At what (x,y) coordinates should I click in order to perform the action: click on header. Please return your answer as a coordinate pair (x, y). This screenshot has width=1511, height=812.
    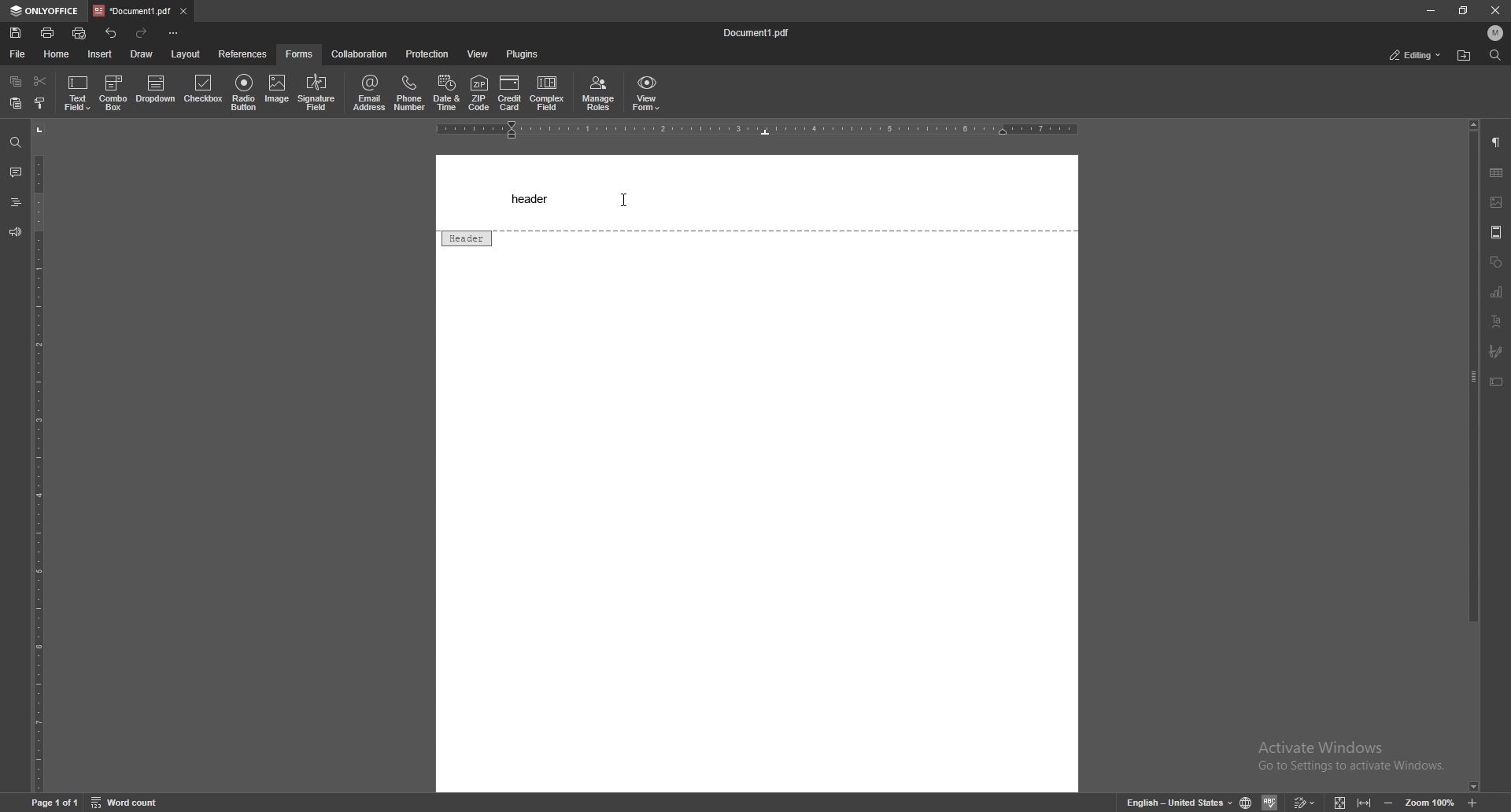
    Looking at the image, I should click on (465, 238).